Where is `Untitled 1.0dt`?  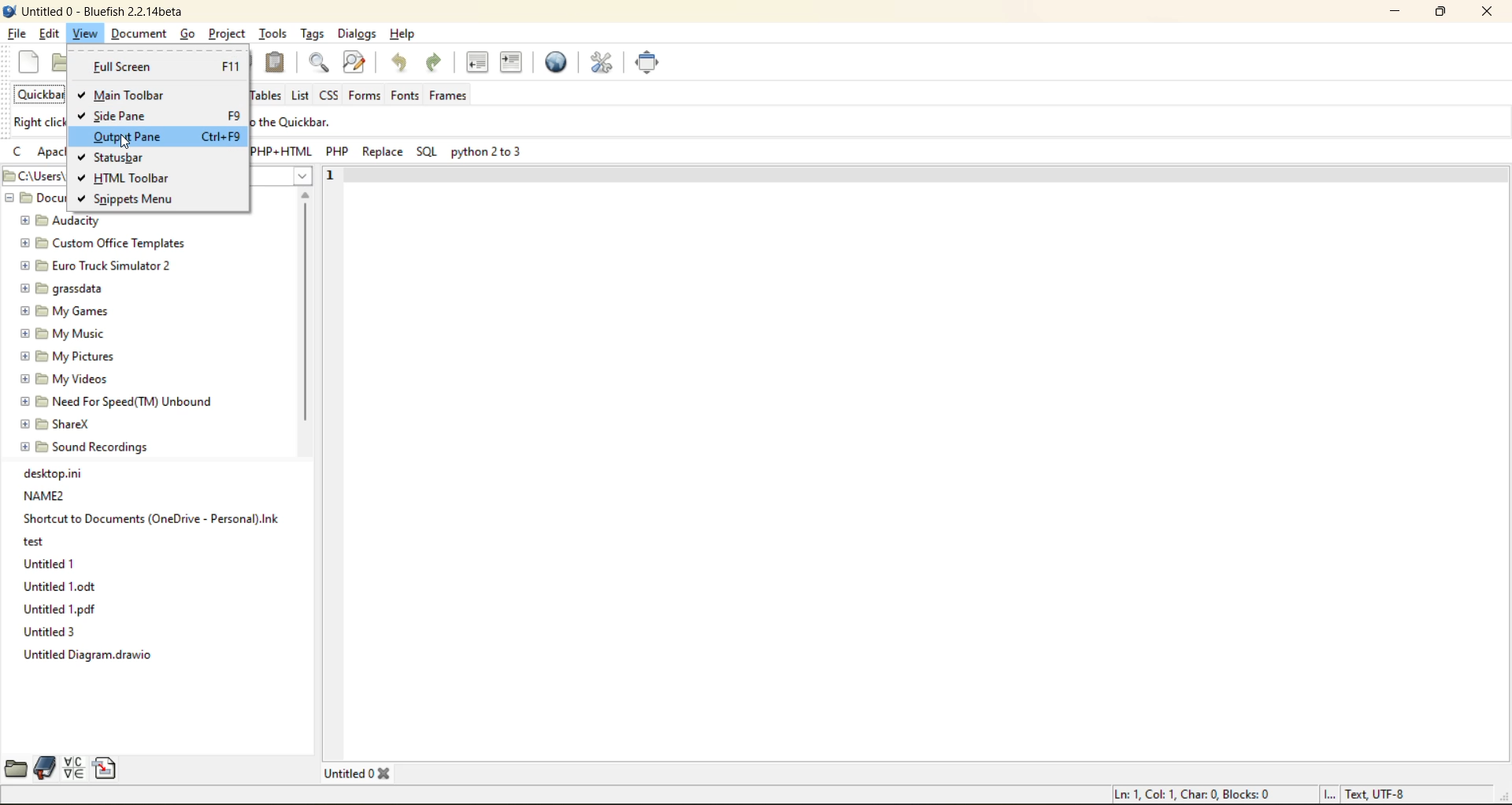 Untitled 1.0dt is located at coordinates (68, 585).